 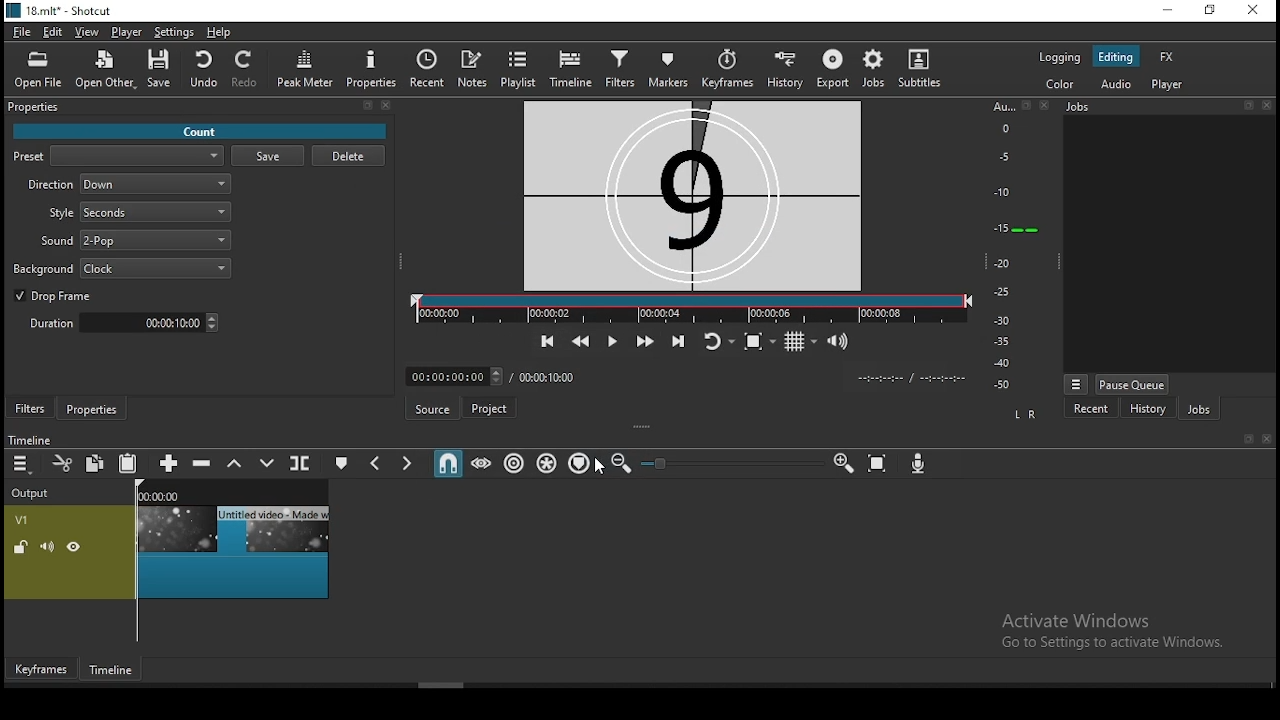 I want to click on background, so click(x=122, y=268).